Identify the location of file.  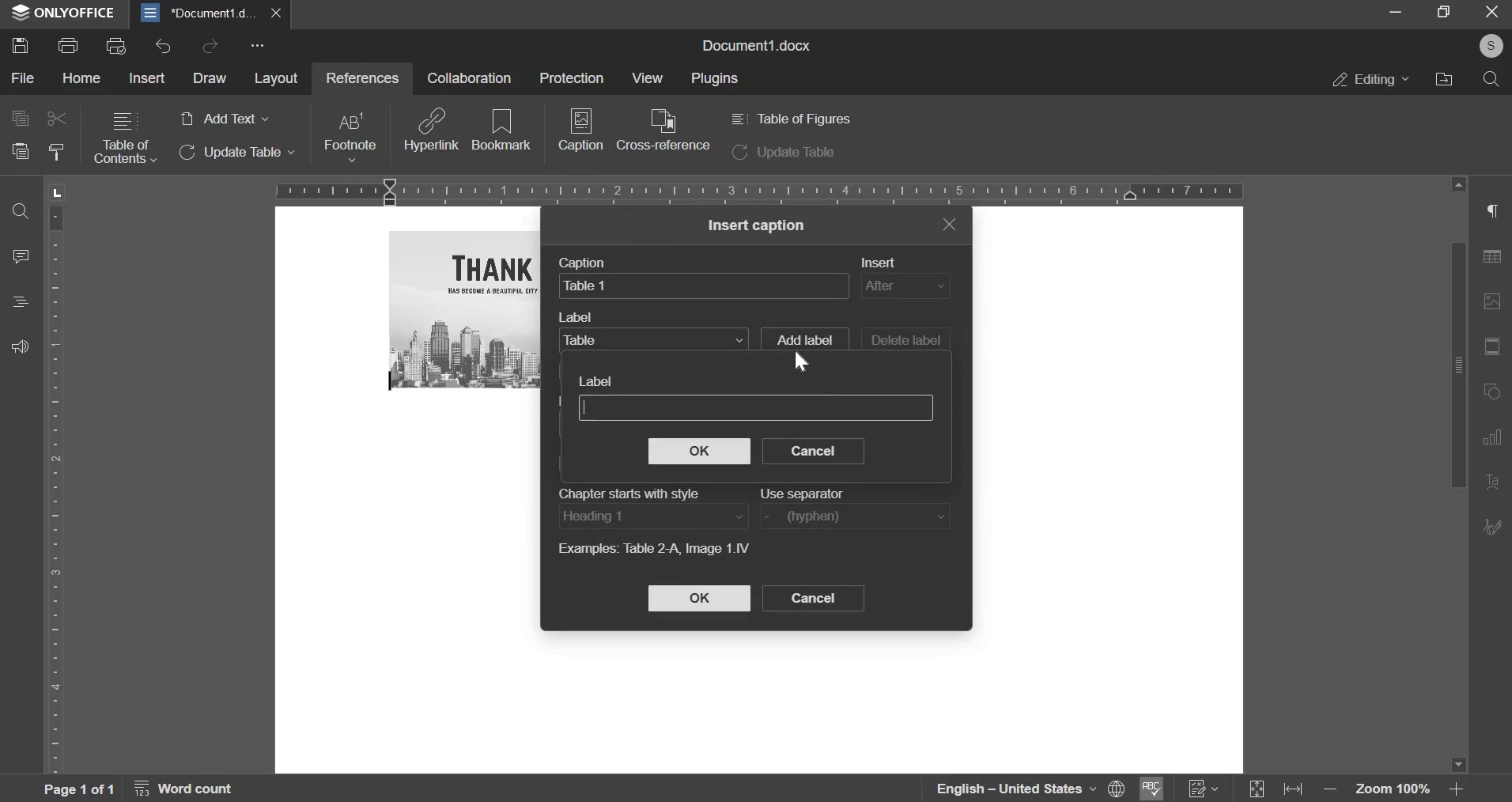
(24, 79).